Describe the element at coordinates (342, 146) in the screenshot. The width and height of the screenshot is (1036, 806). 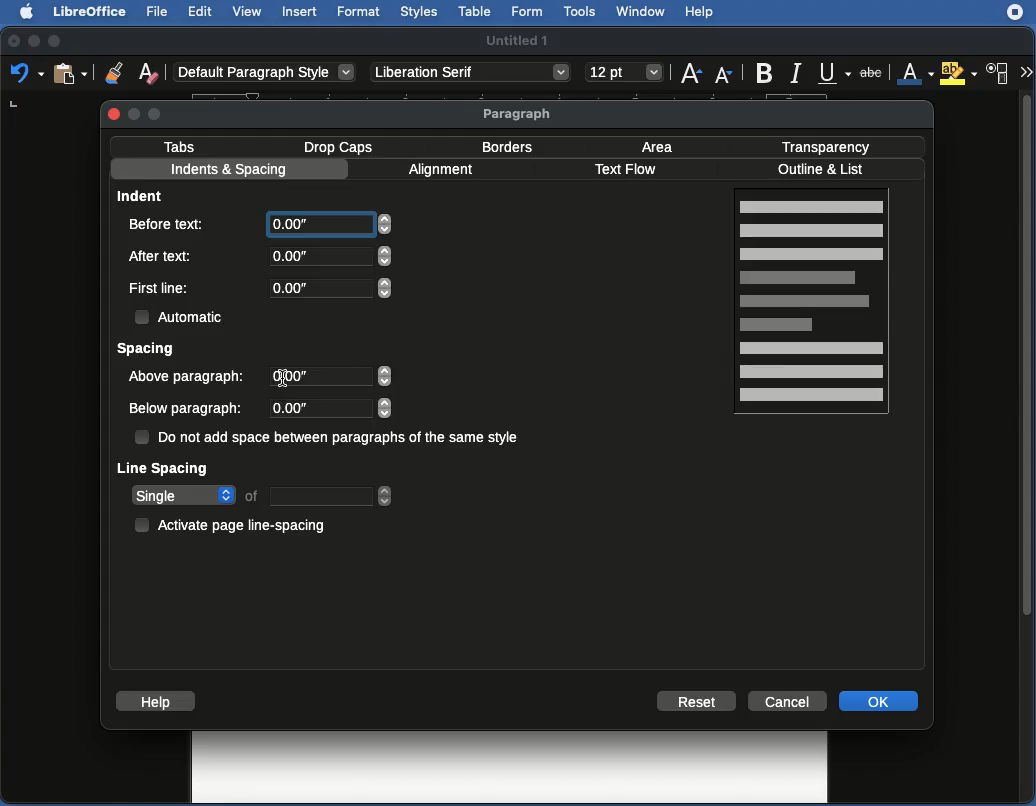
I see `Drop caps` at that location.